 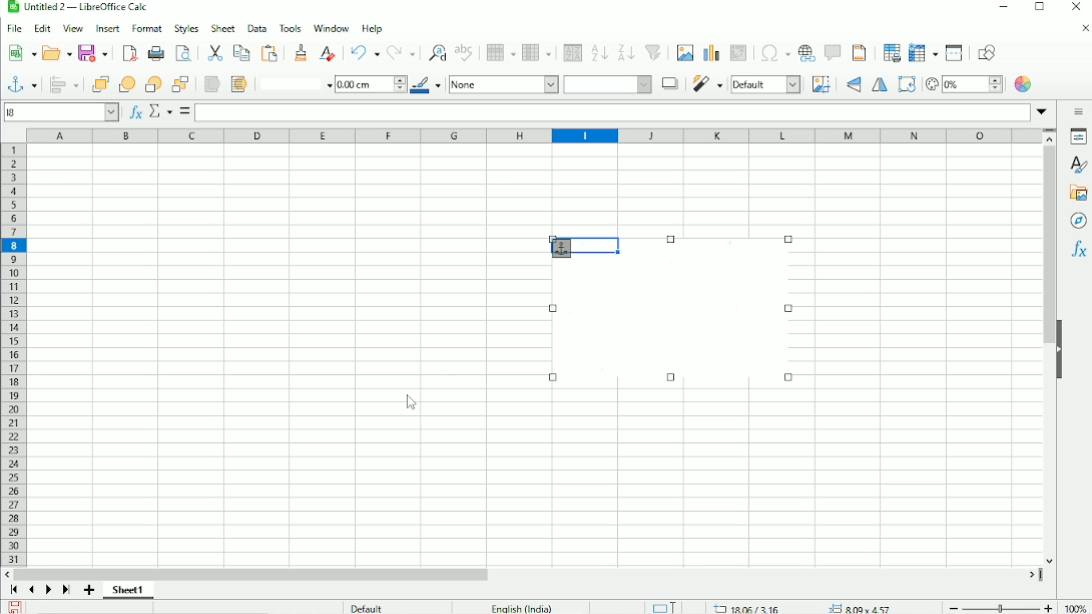 I want to click on Insert chart, so click(x=712, y=51).